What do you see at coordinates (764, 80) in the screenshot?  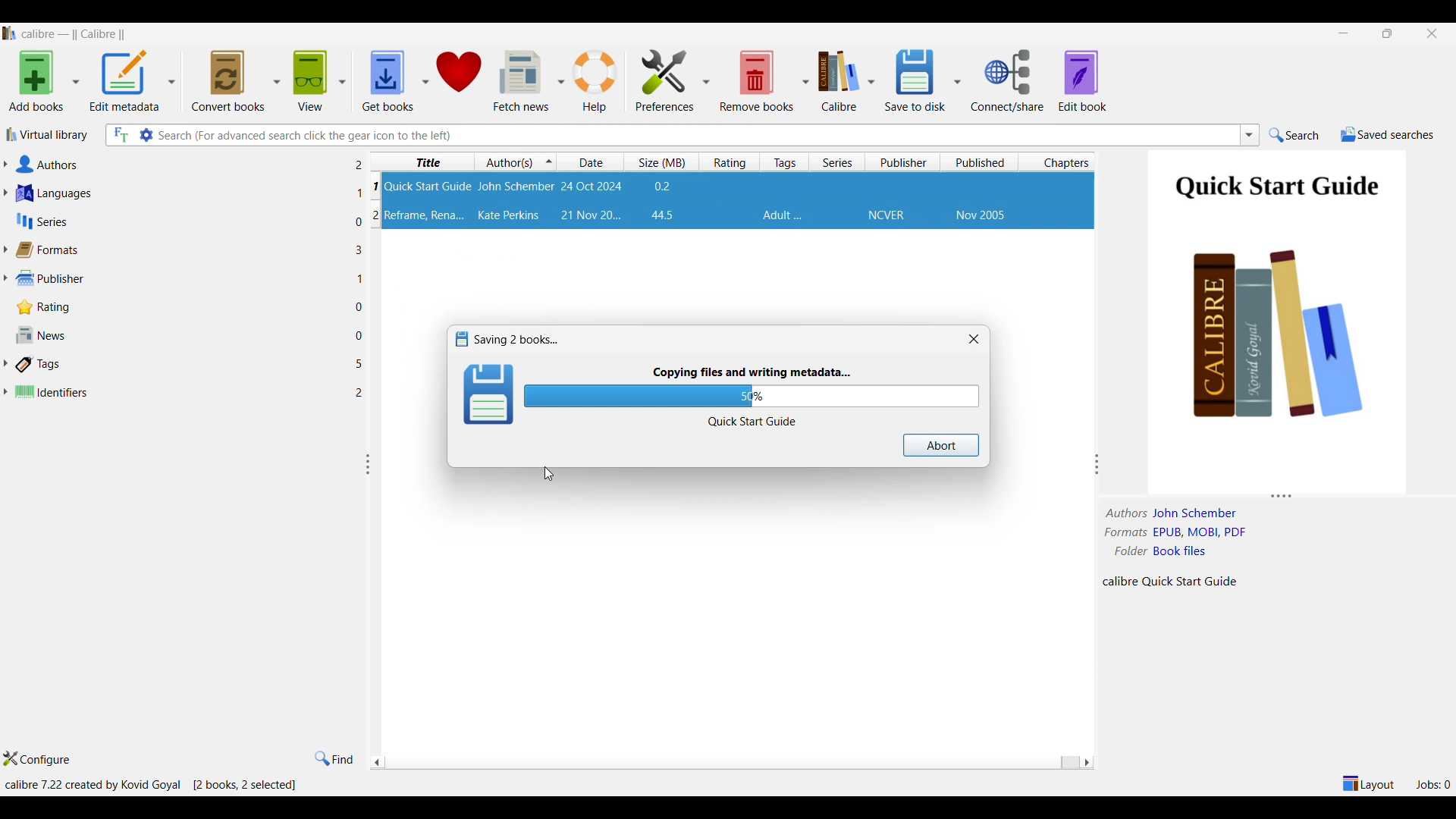 I see `Remove book options` at bounding box center [764, 80].